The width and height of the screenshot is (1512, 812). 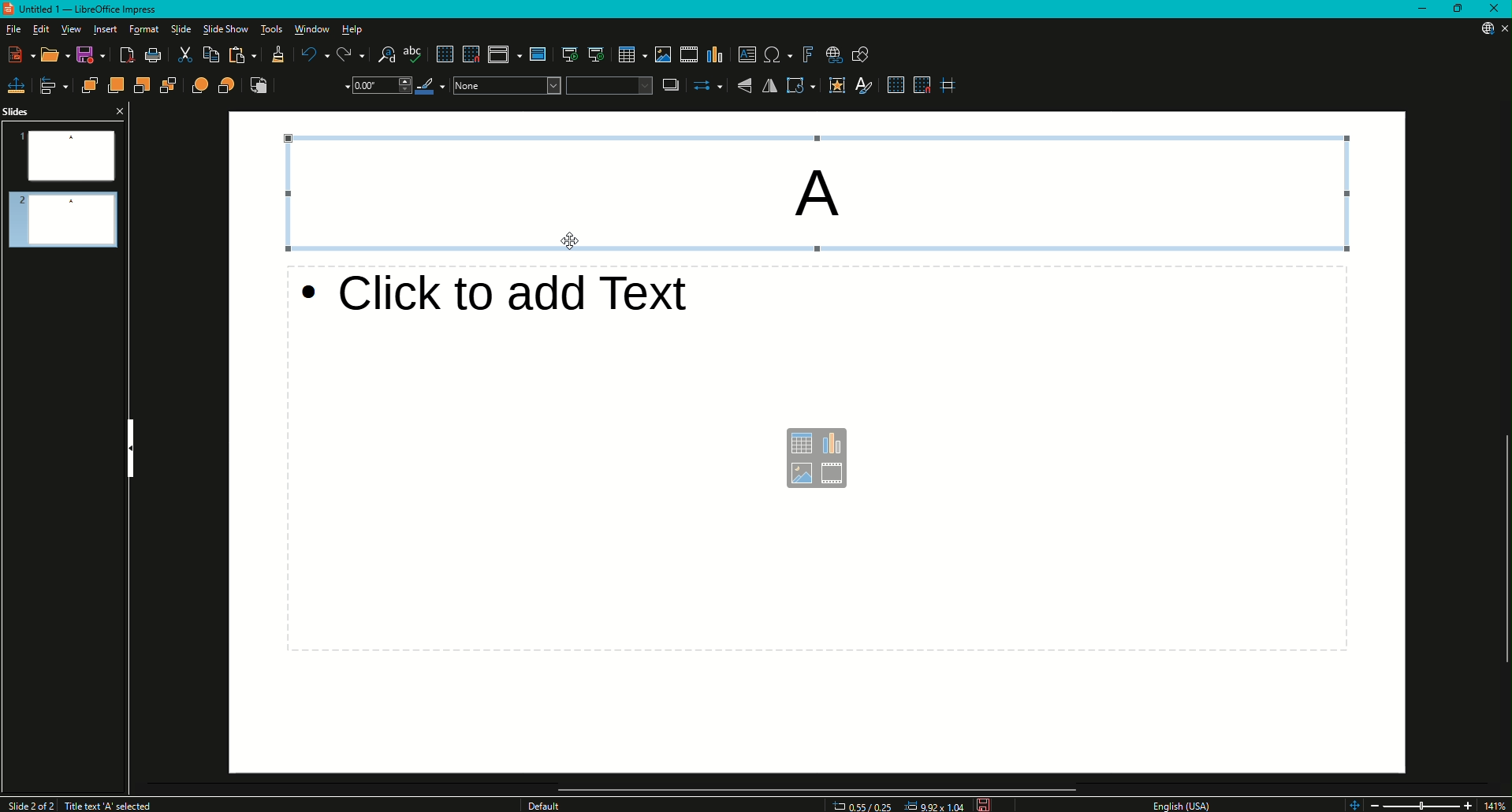 I want to click on Line Style, so click(x=312, y=87).